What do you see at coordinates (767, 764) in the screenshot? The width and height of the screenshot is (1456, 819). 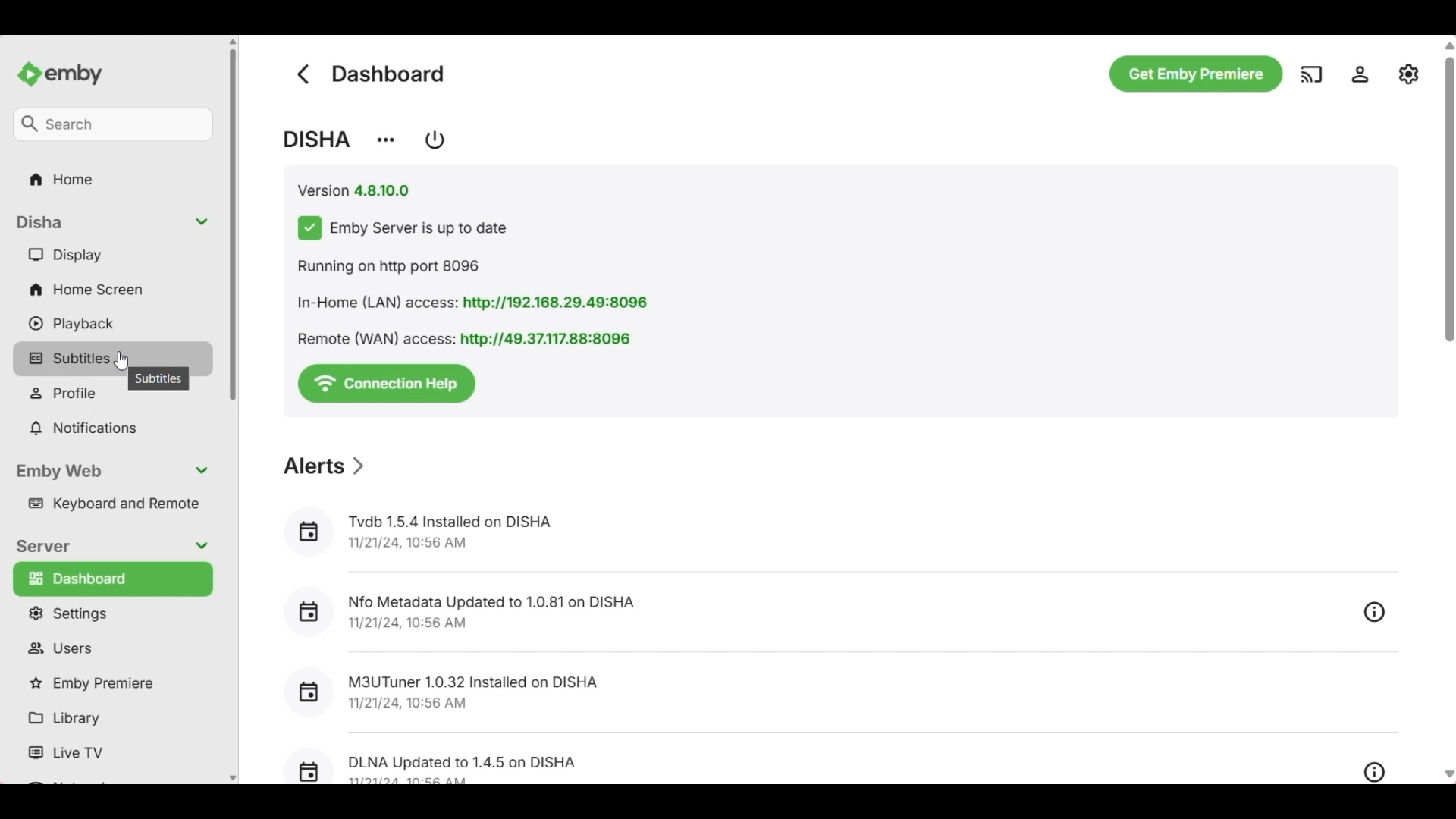 I see `` at bounding box center [767, 764].